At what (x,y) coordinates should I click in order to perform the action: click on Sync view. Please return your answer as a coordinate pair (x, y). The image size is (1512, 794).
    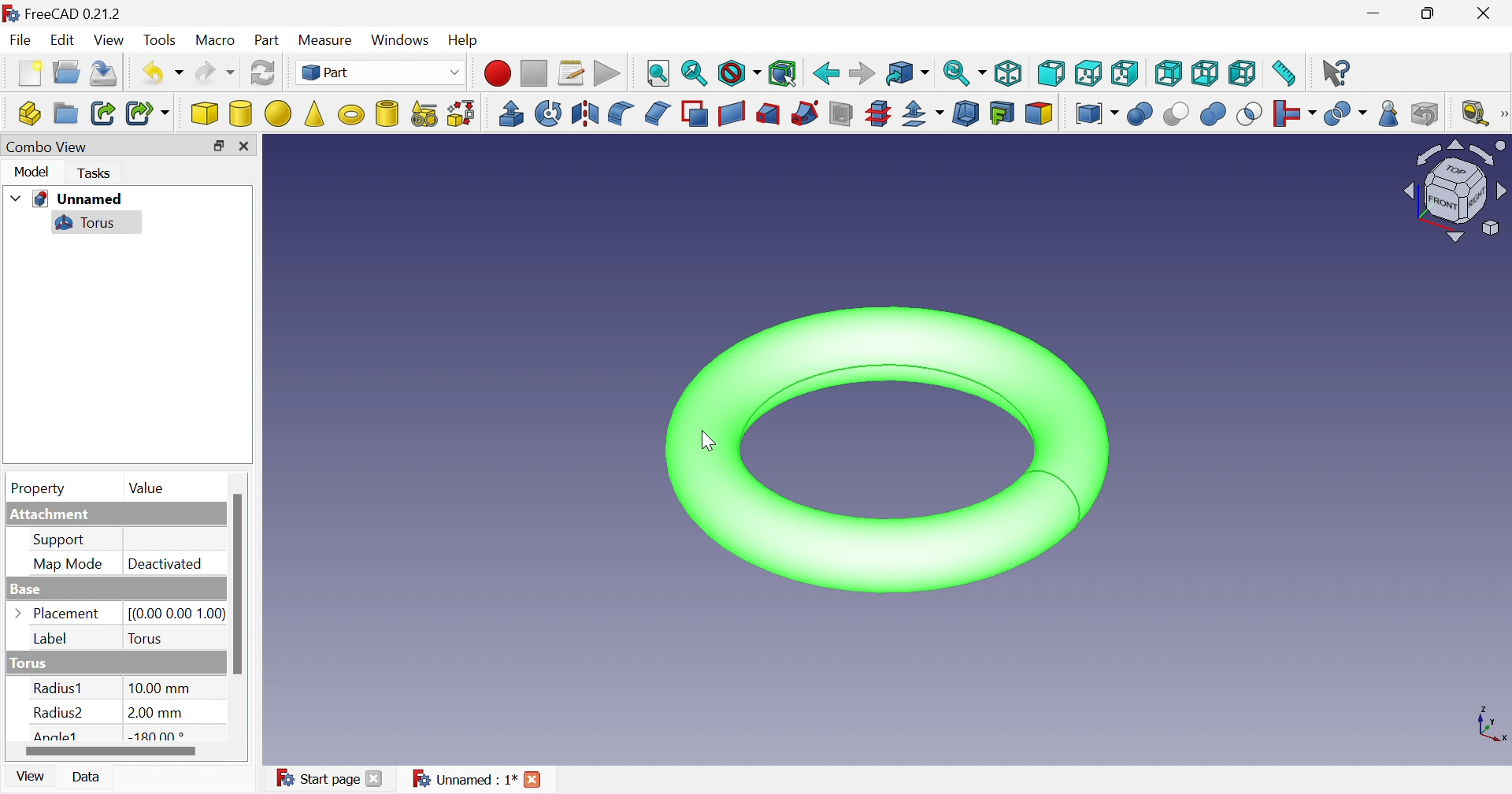
    Looking at the image, I should click on (963, 74).